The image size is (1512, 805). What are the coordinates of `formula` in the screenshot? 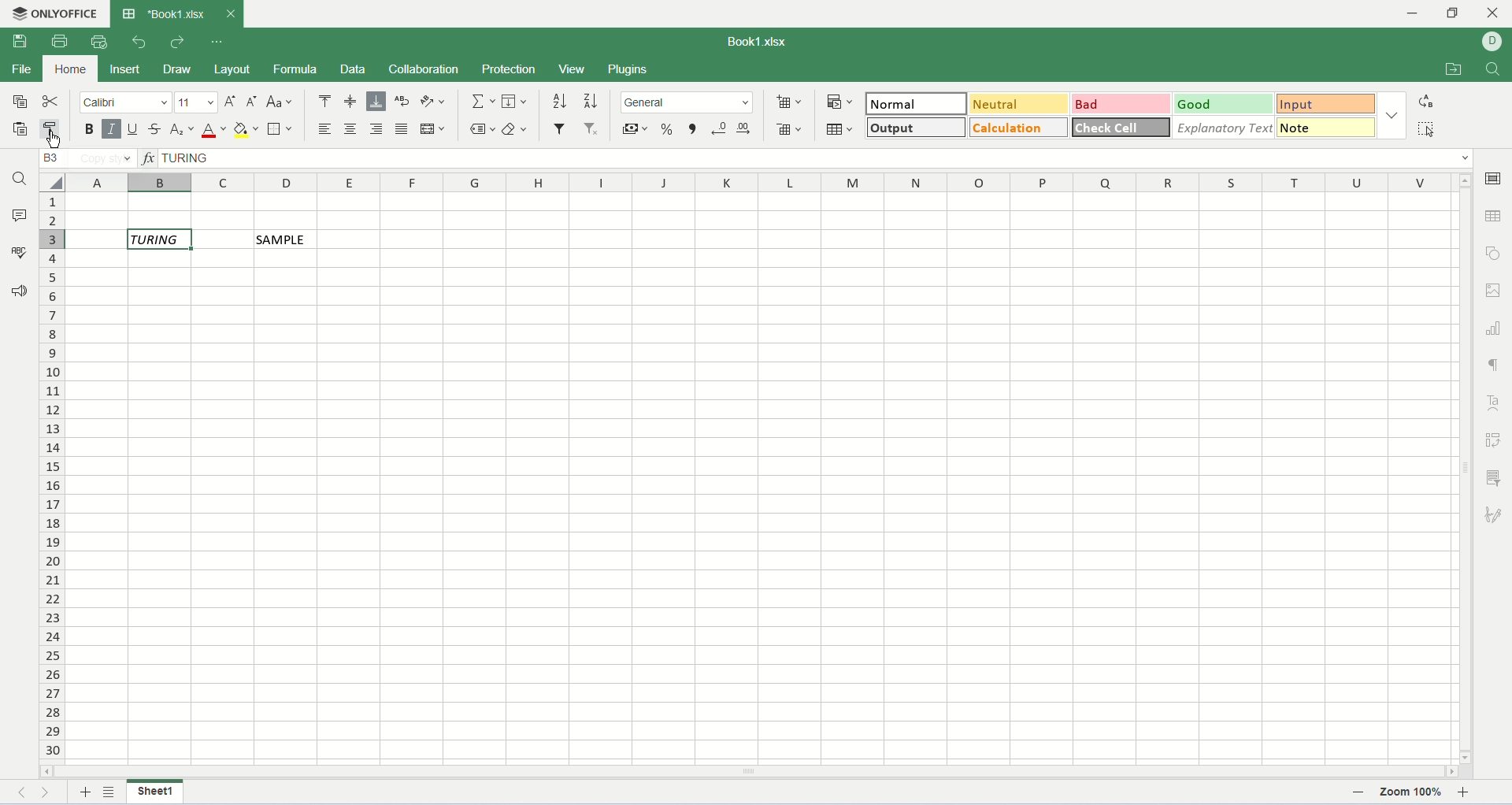 It's located at (297, 71).